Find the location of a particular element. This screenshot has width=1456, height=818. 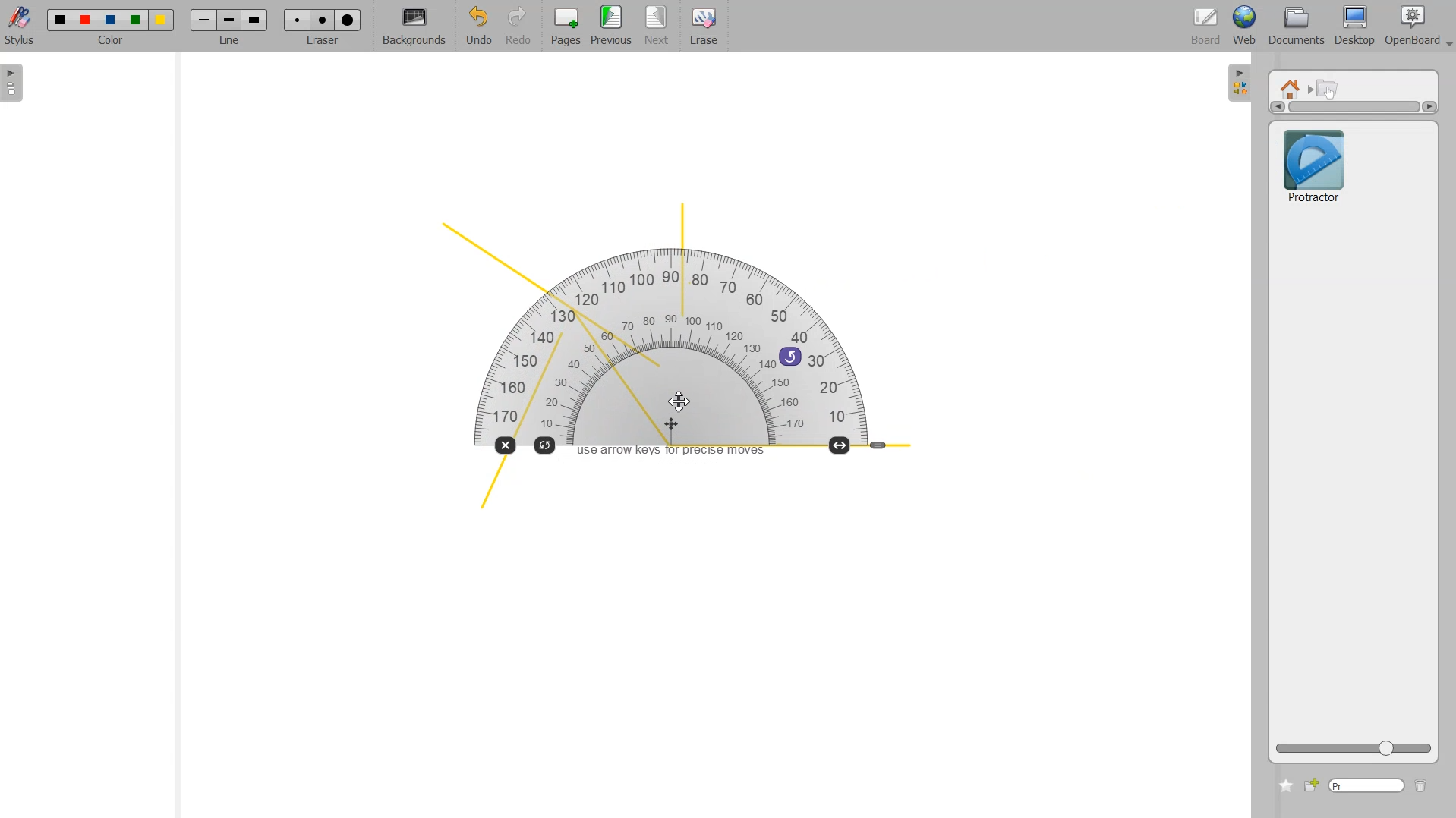

Delete is located at coordinates (1421, 787).